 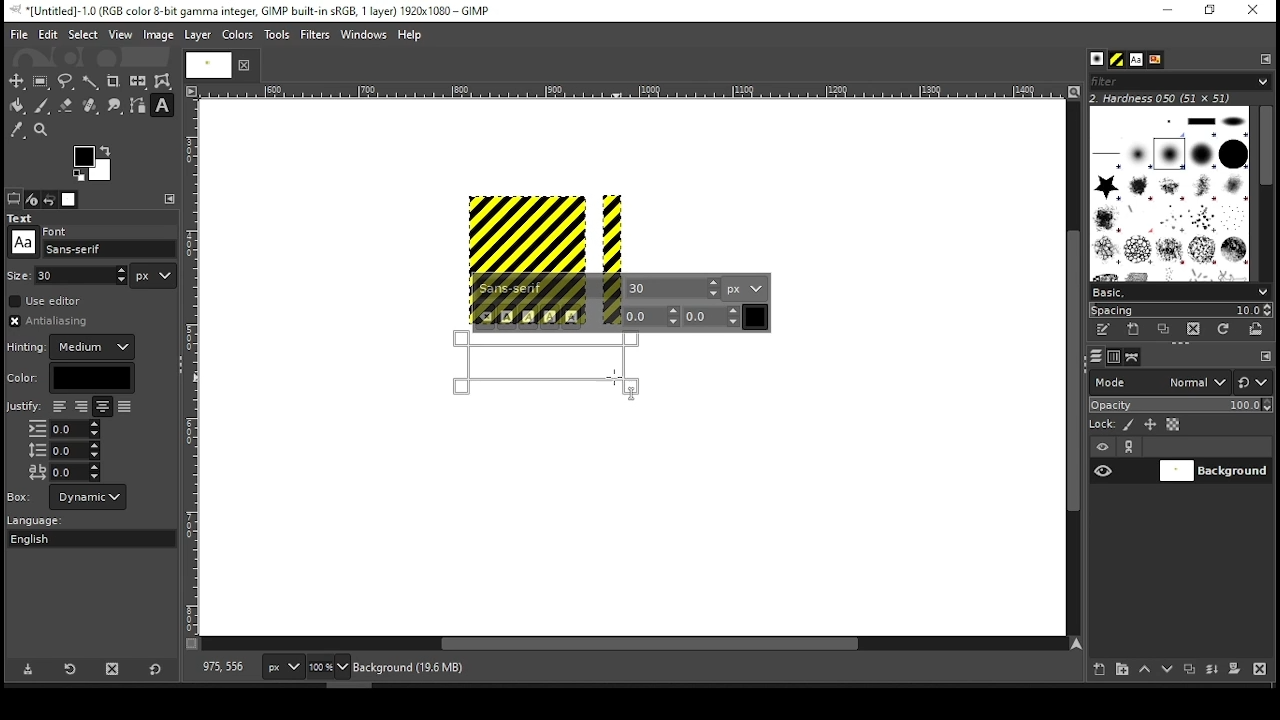 I want to click on image, so click(x=157, y=35).